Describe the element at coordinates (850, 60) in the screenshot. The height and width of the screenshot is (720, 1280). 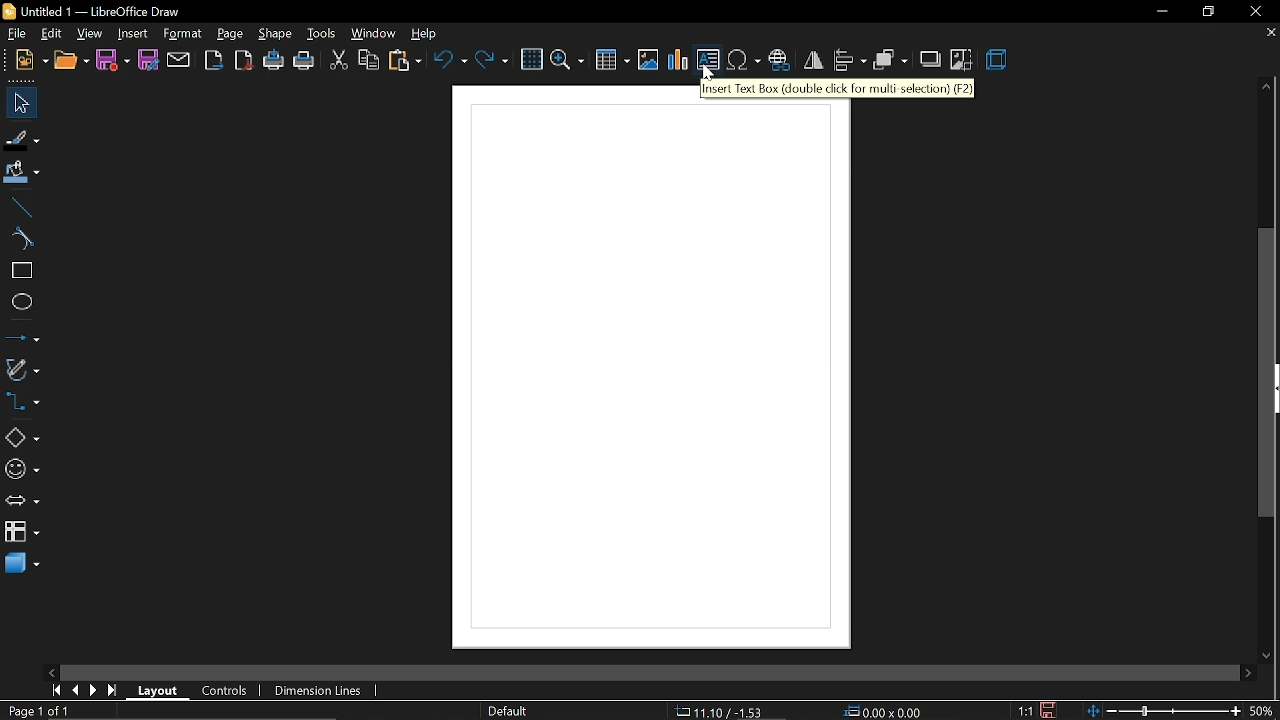
I see `align` at that location.